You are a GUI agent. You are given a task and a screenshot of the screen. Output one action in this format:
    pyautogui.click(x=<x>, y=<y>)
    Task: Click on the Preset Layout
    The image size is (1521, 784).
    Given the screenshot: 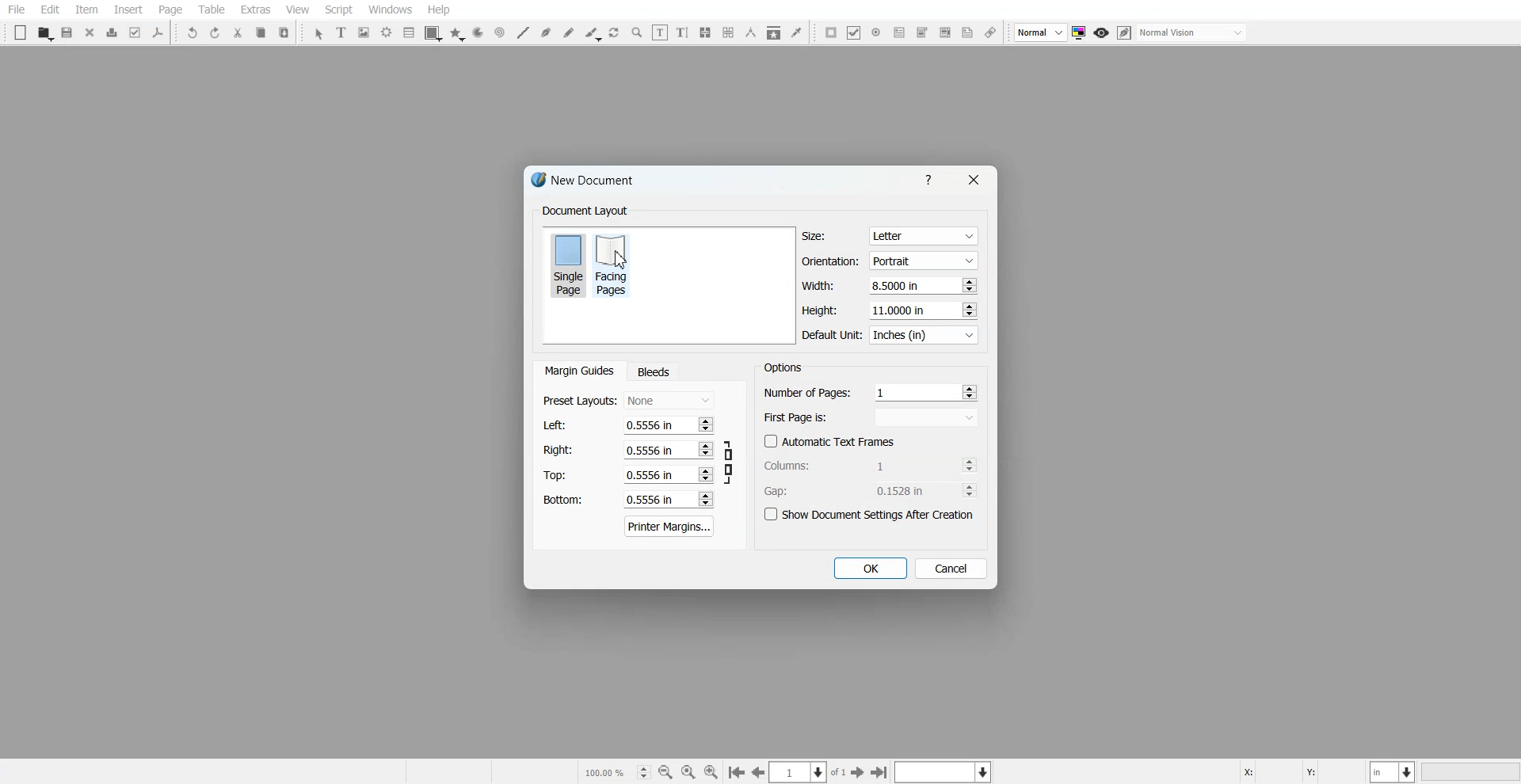 What is the action you would take?
    pyautogui.click(x=628, y=401)
    